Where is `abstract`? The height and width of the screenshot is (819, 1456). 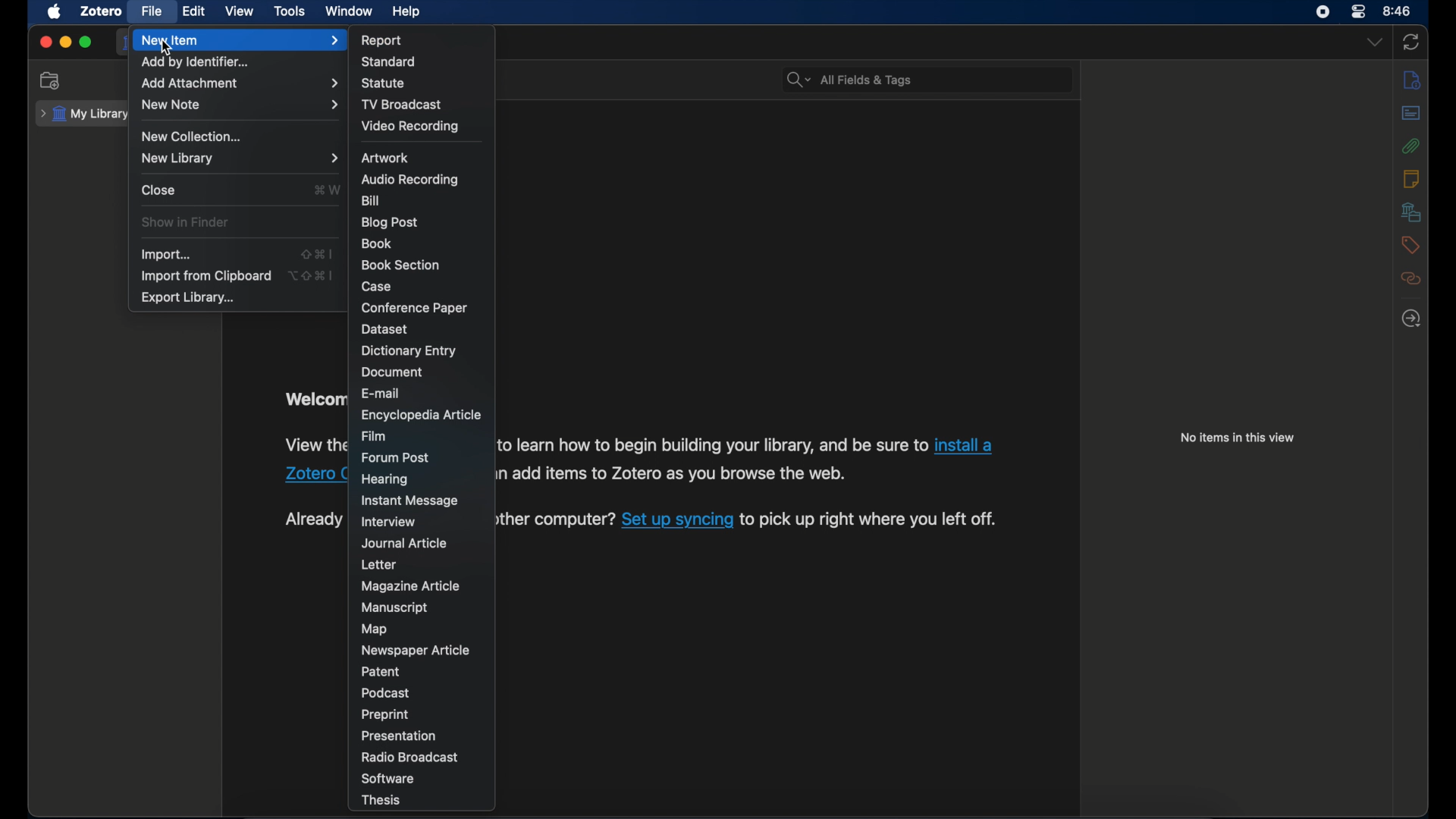 abstract is located at coordinates (1411, 114).